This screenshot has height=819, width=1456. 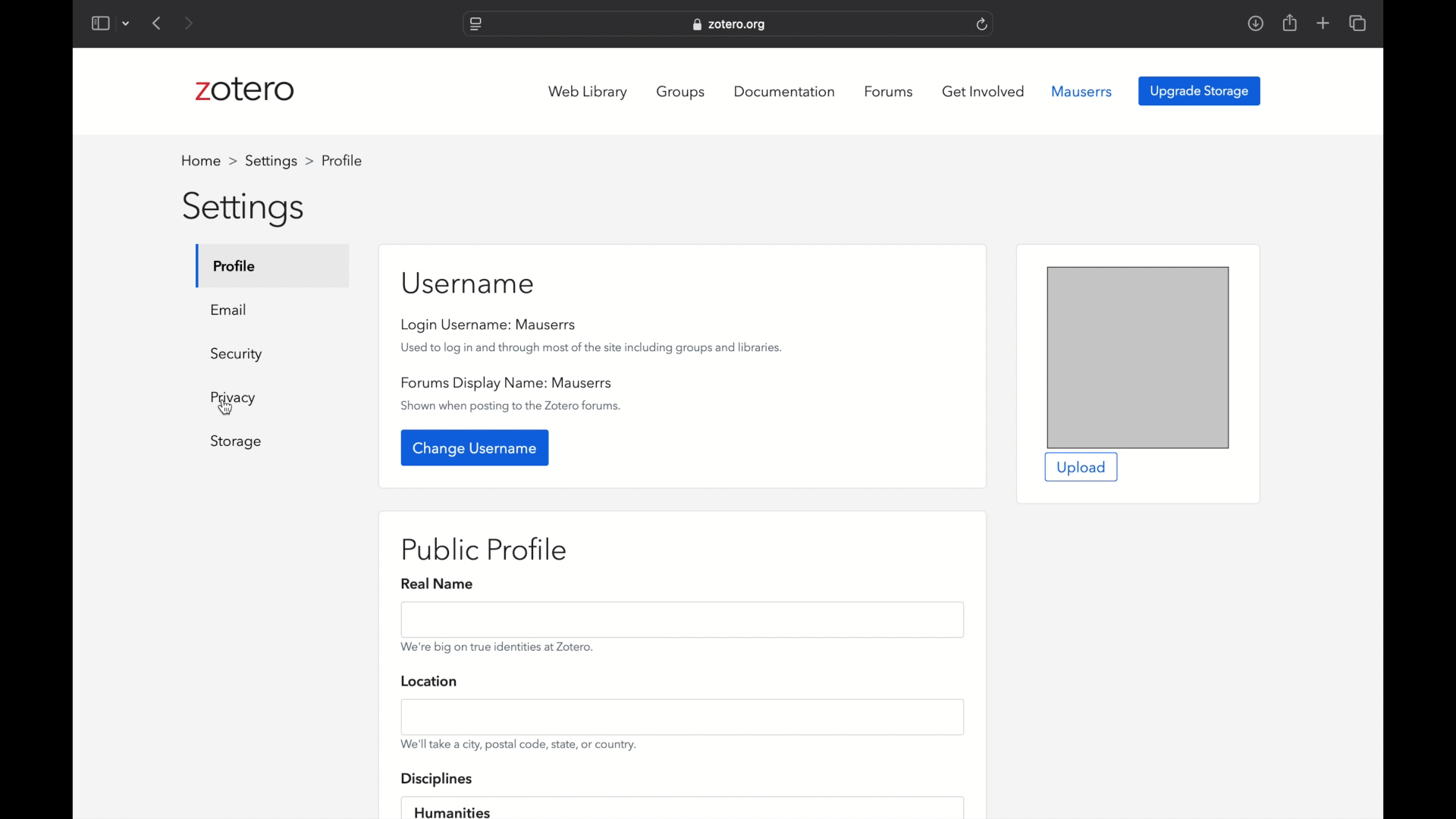 What do you see at coordinates (592, 349) in the screenshot?
I see `used to dig in and through most of the site including groups and libraries` at bounding box center [592, 349].